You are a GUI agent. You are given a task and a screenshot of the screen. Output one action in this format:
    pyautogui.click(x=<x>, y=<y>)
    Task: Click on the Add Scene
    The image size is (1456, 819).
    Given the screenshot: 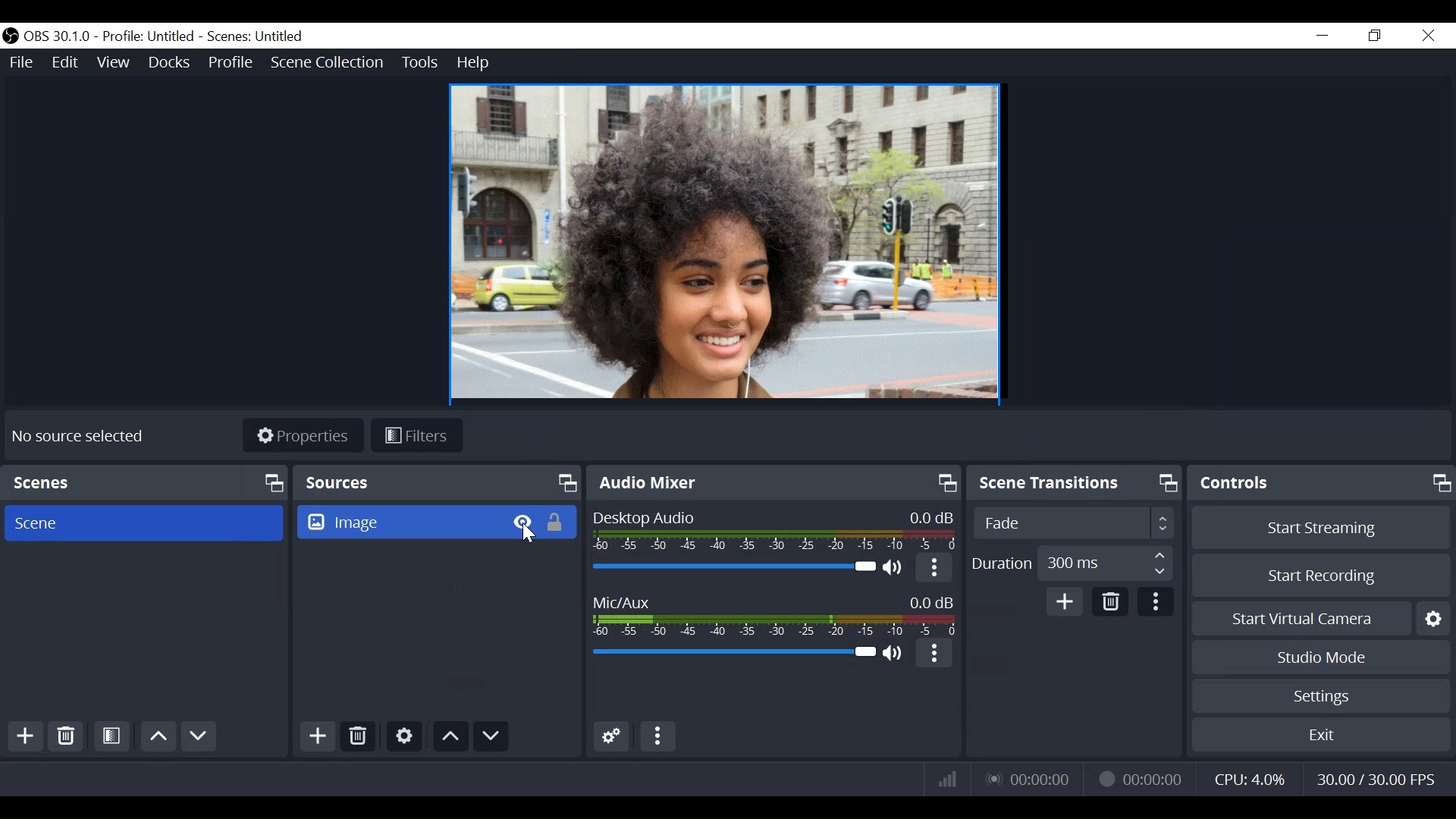 What is the action you would take?
    pyautogui.click(x=21, y=737)
    